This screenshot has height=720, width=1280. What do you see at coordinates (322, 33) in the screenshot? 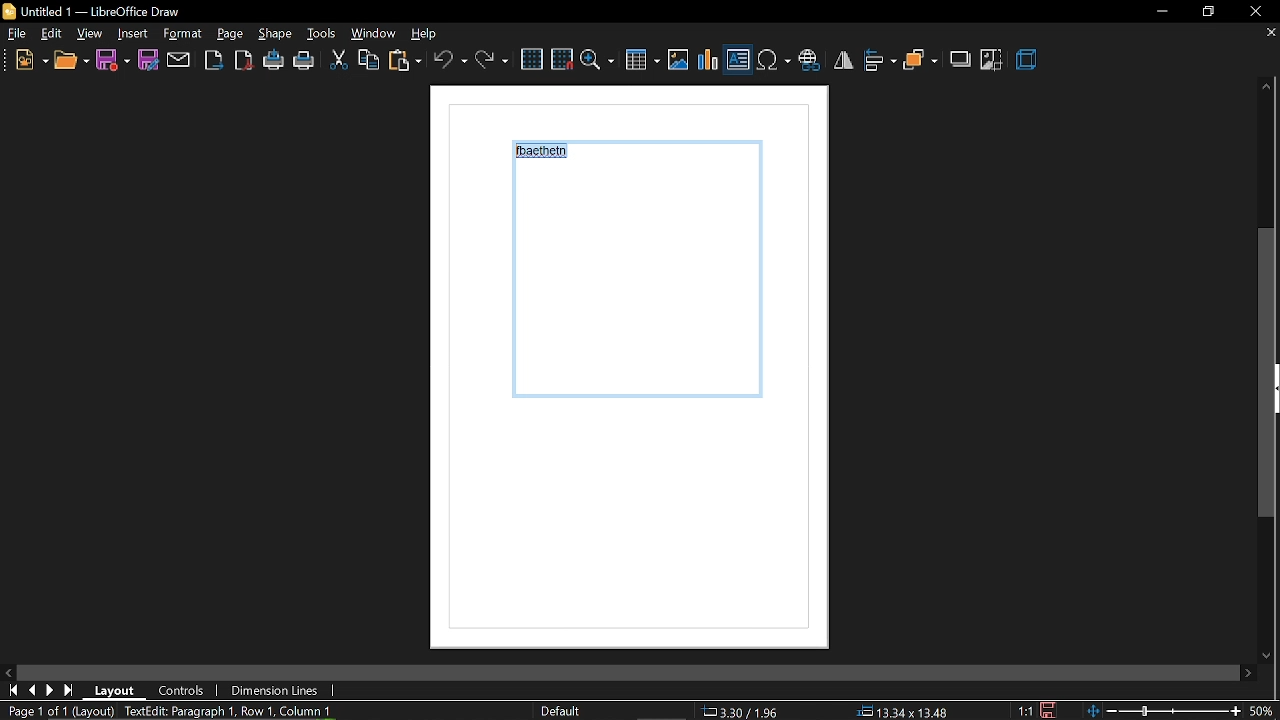
I see `tools` at bounding box center [322, 33].